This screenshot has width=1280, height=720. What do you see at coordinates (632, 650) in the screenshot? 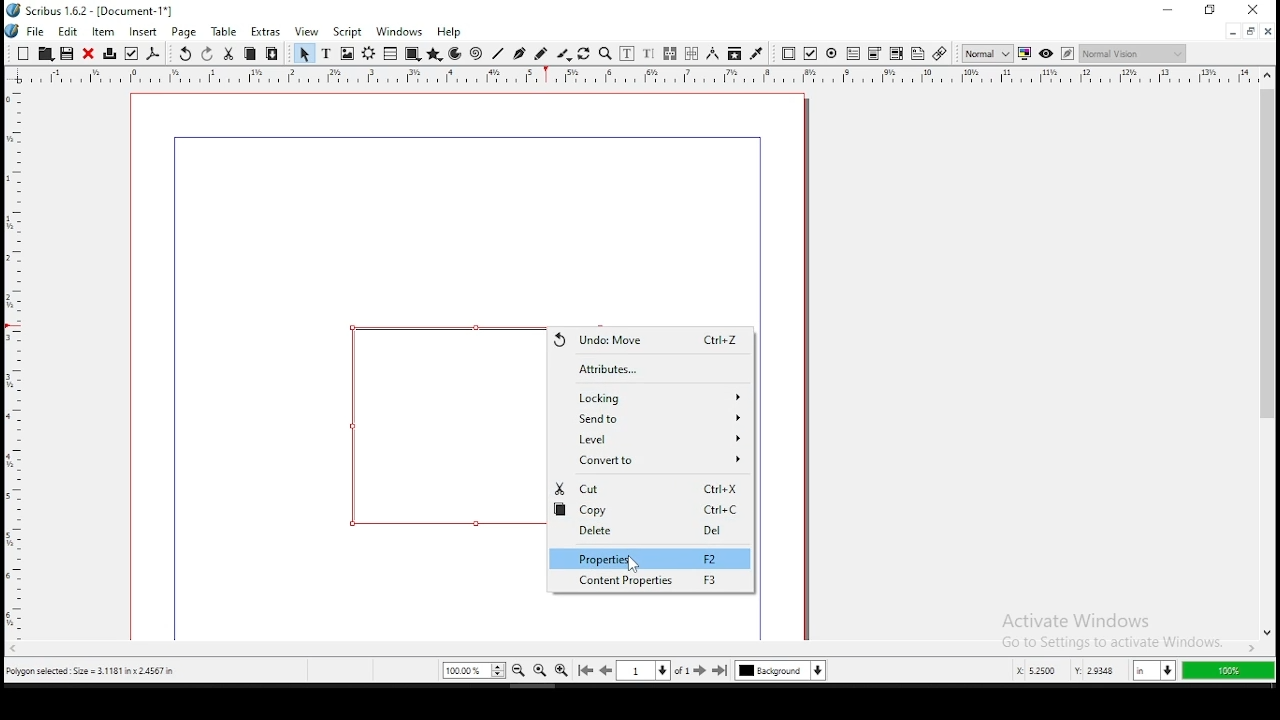
I see `scroll bar` at bounding box center [632, 650].